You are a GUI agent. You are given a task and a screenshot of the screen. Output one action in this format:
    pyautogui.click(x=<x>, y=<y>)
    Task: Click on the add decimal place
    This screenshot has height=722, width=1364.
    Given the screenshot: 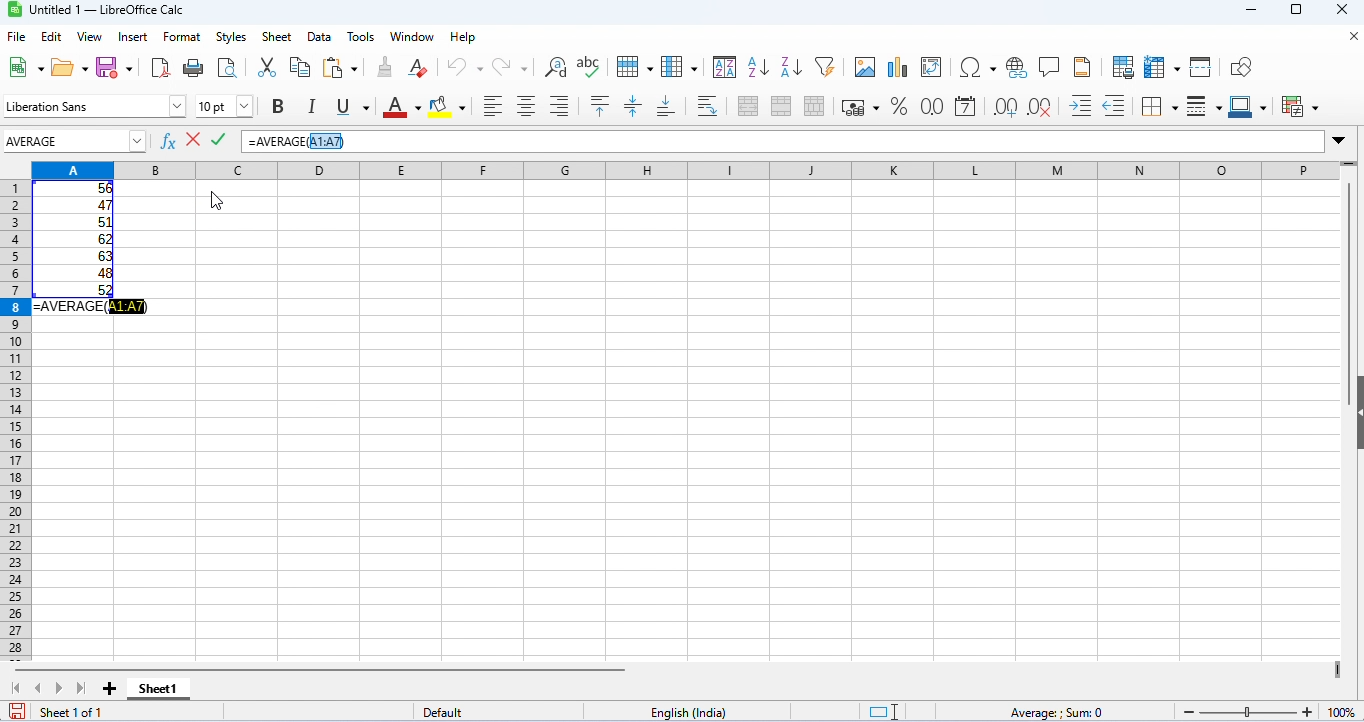 What is the action you would take?
    pyautogui.click(x=1004, y=107)
    